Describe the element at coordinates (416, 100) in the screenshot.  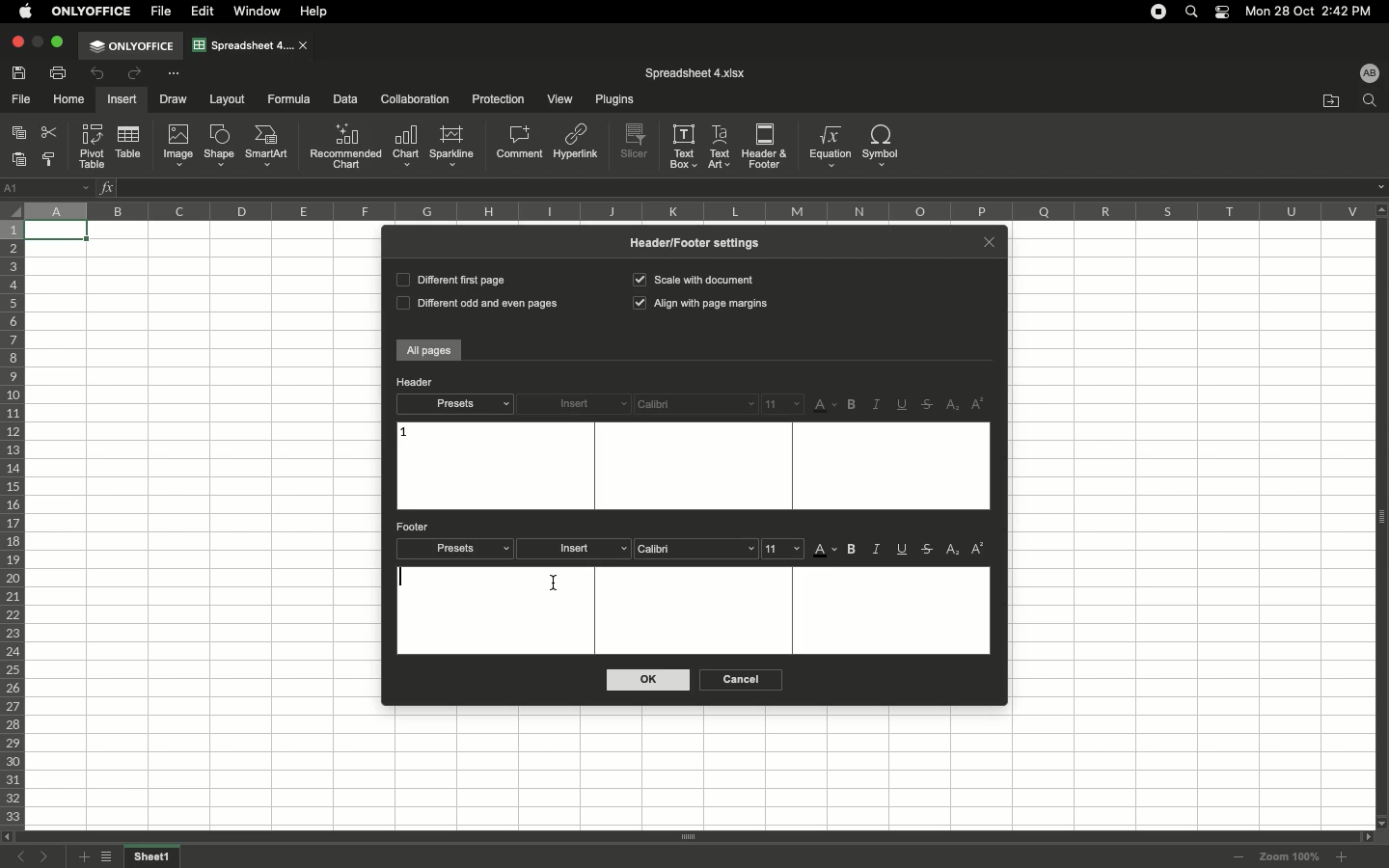
I see `Collaboration` at that location.